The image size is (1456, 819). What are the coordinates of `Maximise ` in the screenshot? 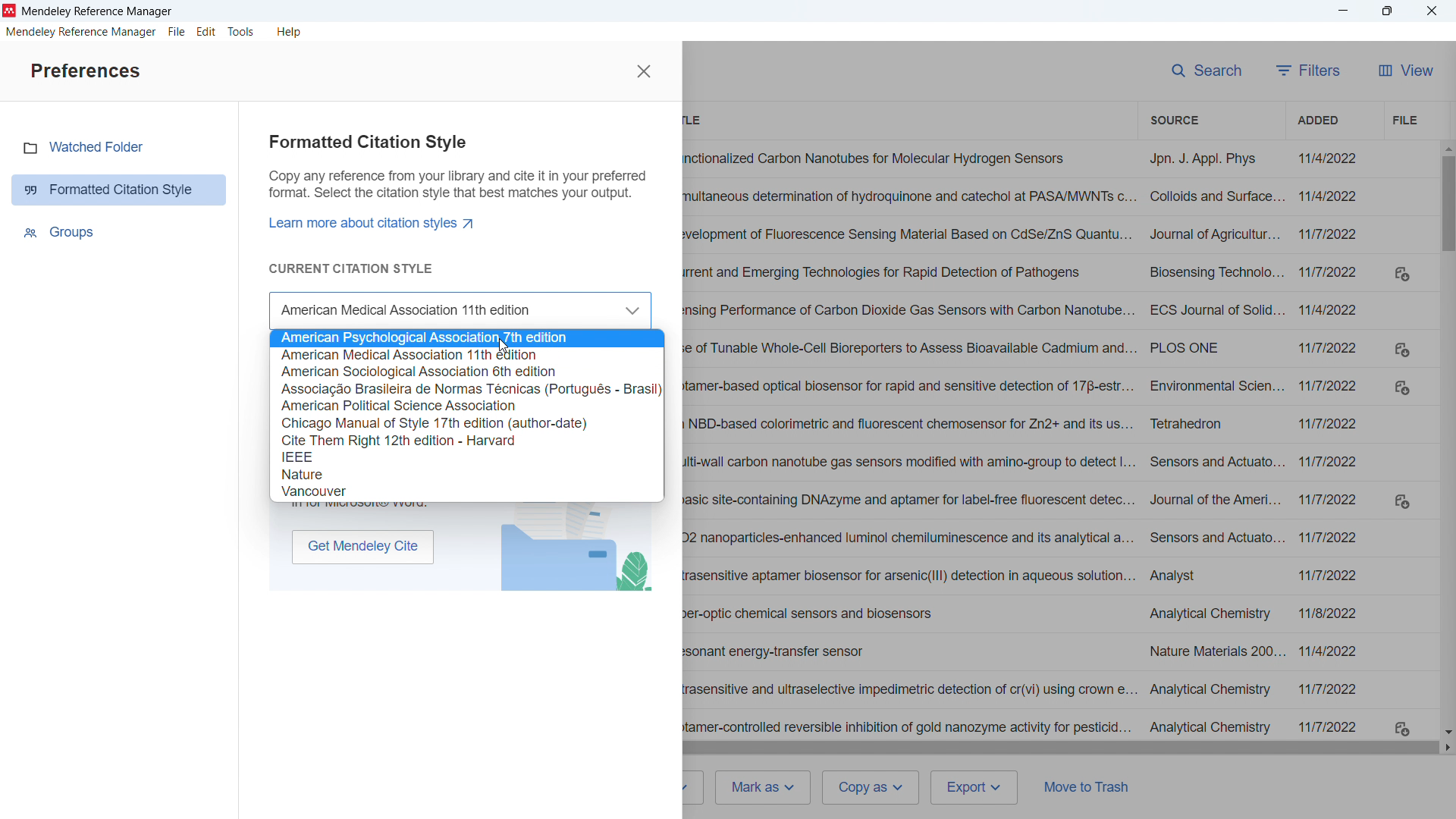 It's located at (1385, 11).